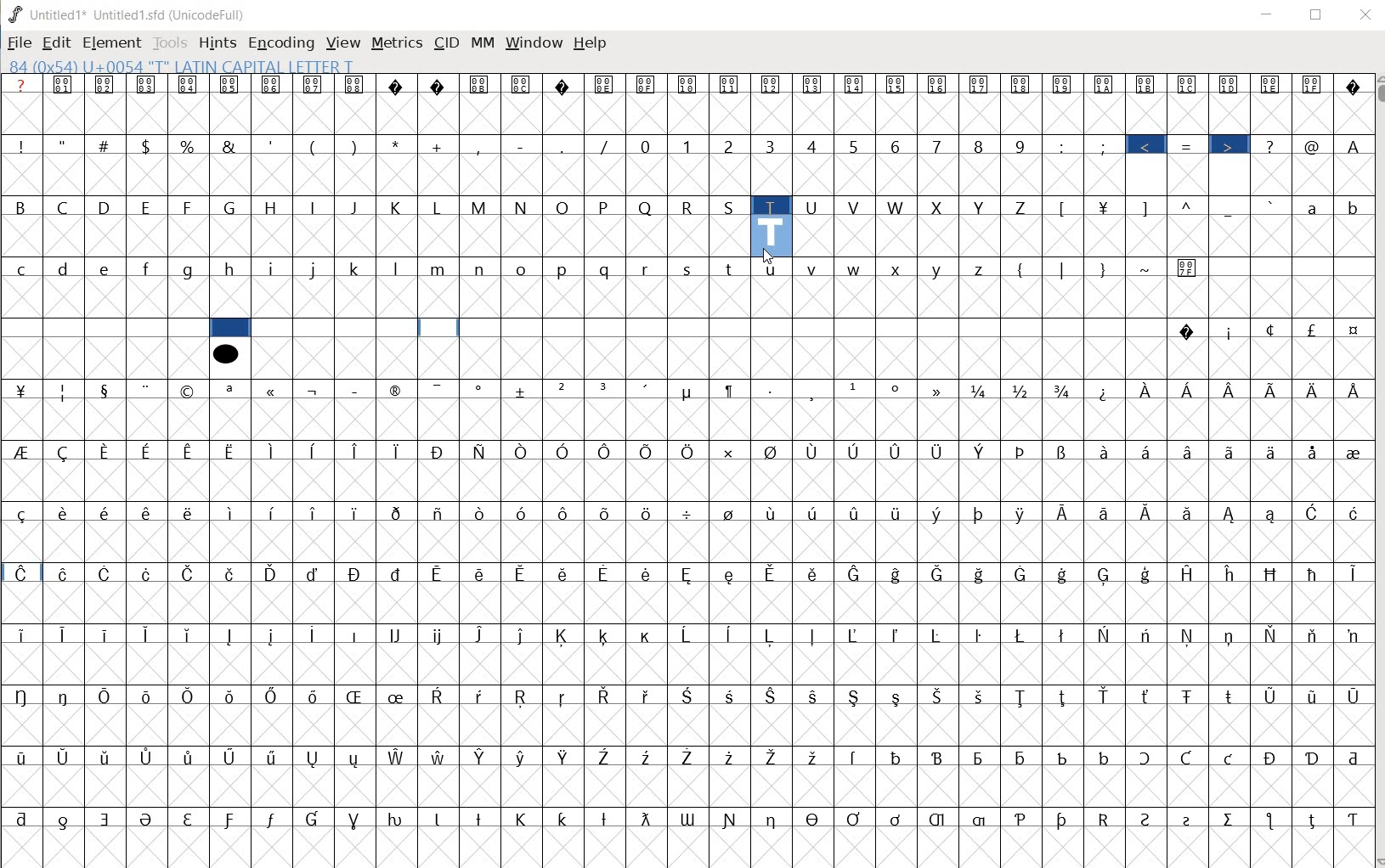 This screenshot has height=868, width=1385. What do you see at coordinates (150, 450) in the screenshot?
I see `Symbol` at bounding box center [150, 450].